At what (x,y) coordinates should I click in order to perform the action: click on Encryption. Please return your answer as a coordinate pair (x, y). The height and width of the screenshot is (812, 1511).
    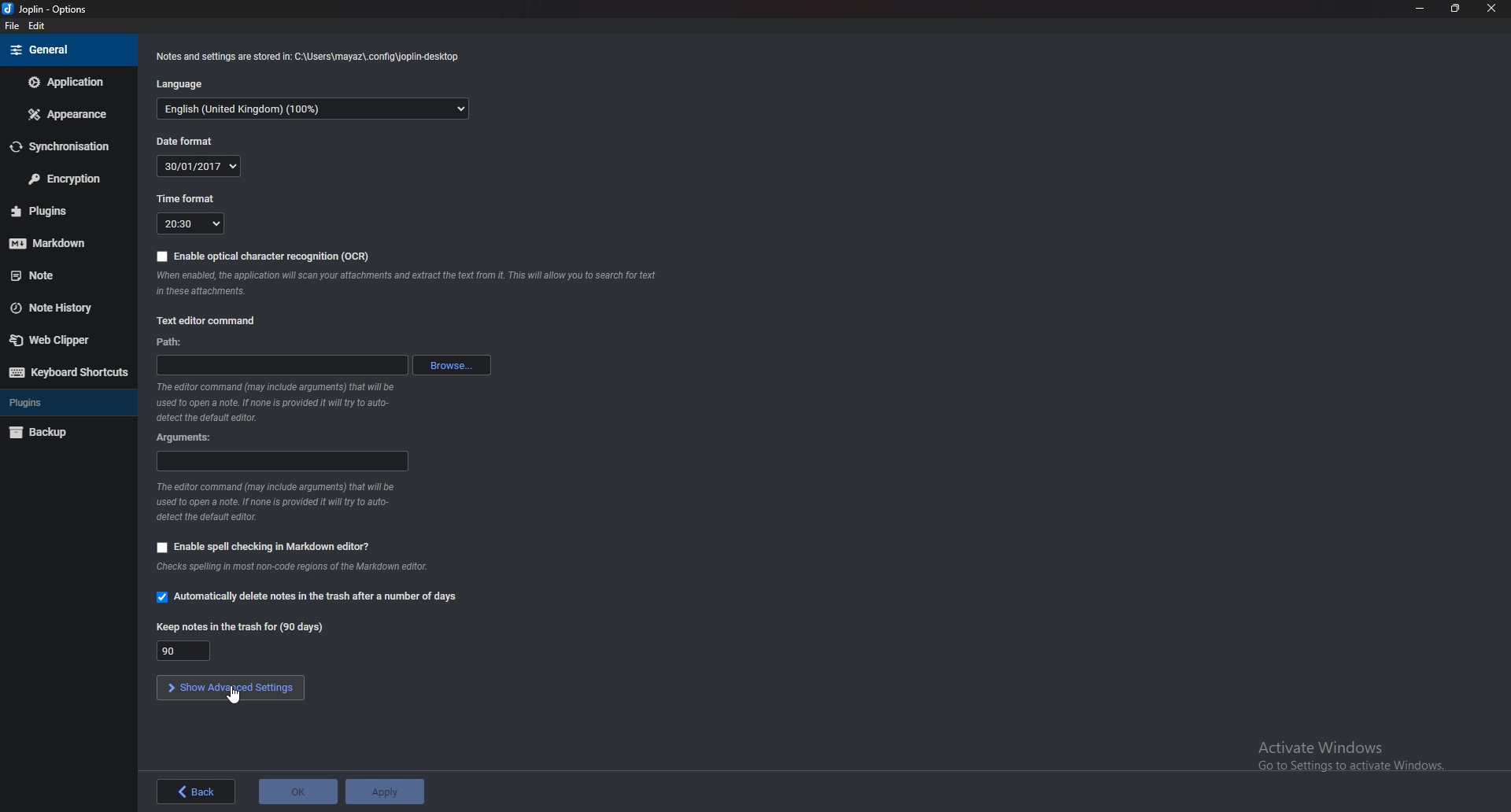
    Looking at the image, I should click on (66, 177).